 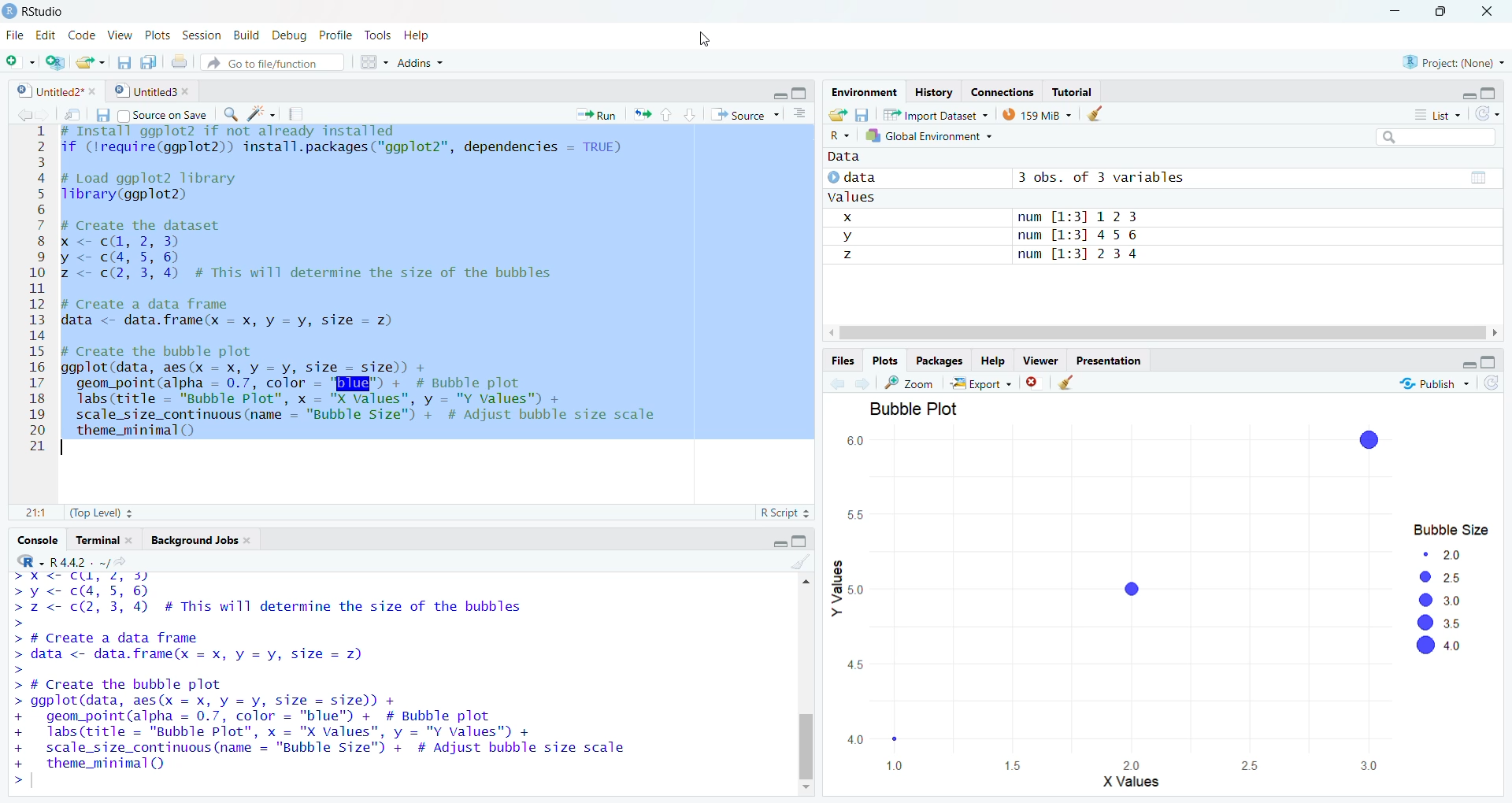 I want to click on workspaces panes, so click(x=370, y=62).